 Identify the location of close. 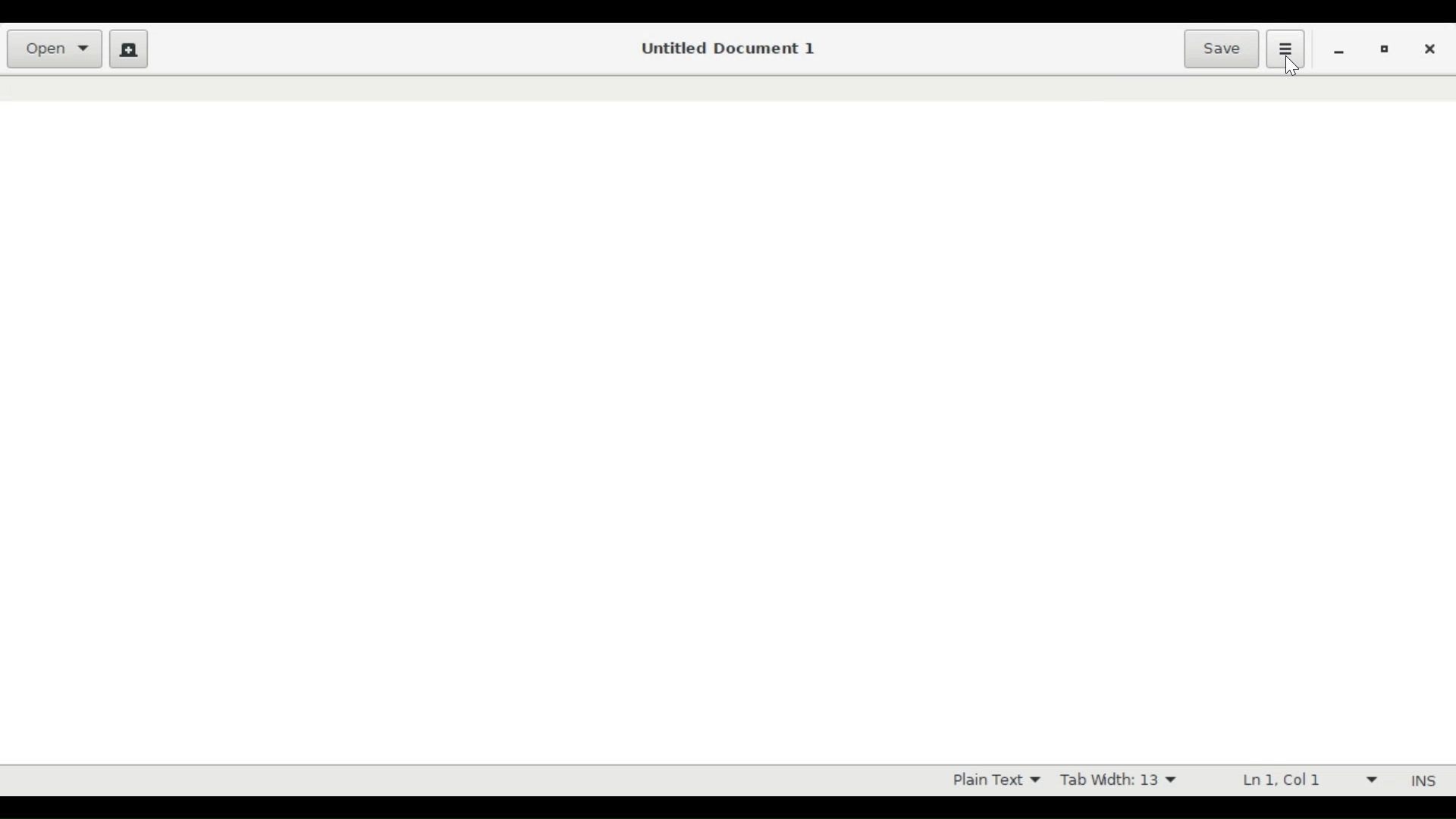
(1429, 49).